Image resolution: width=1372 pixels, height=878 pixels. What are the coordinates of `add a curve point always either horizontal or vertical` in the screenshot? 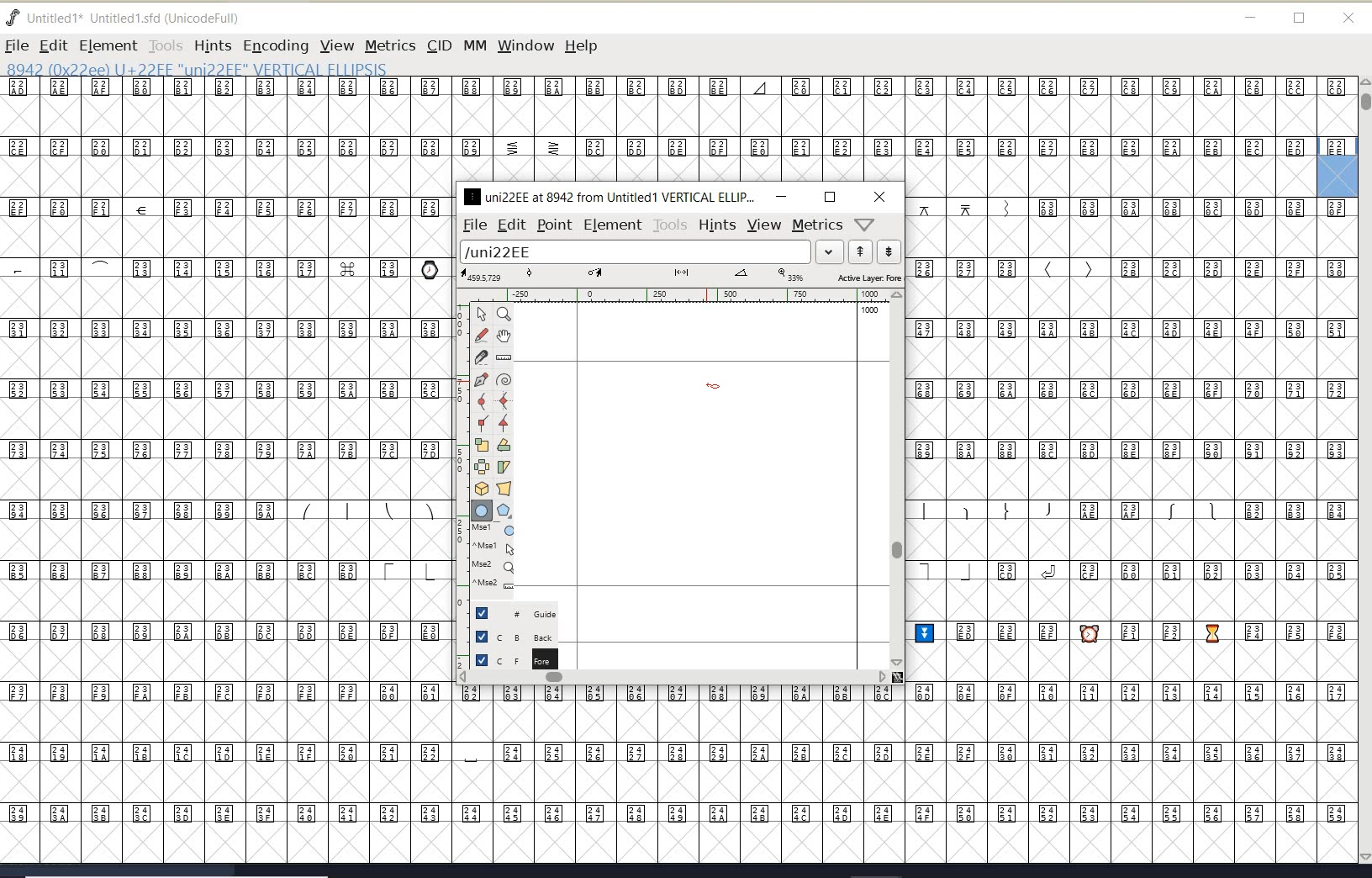 It's located at (502, 400).